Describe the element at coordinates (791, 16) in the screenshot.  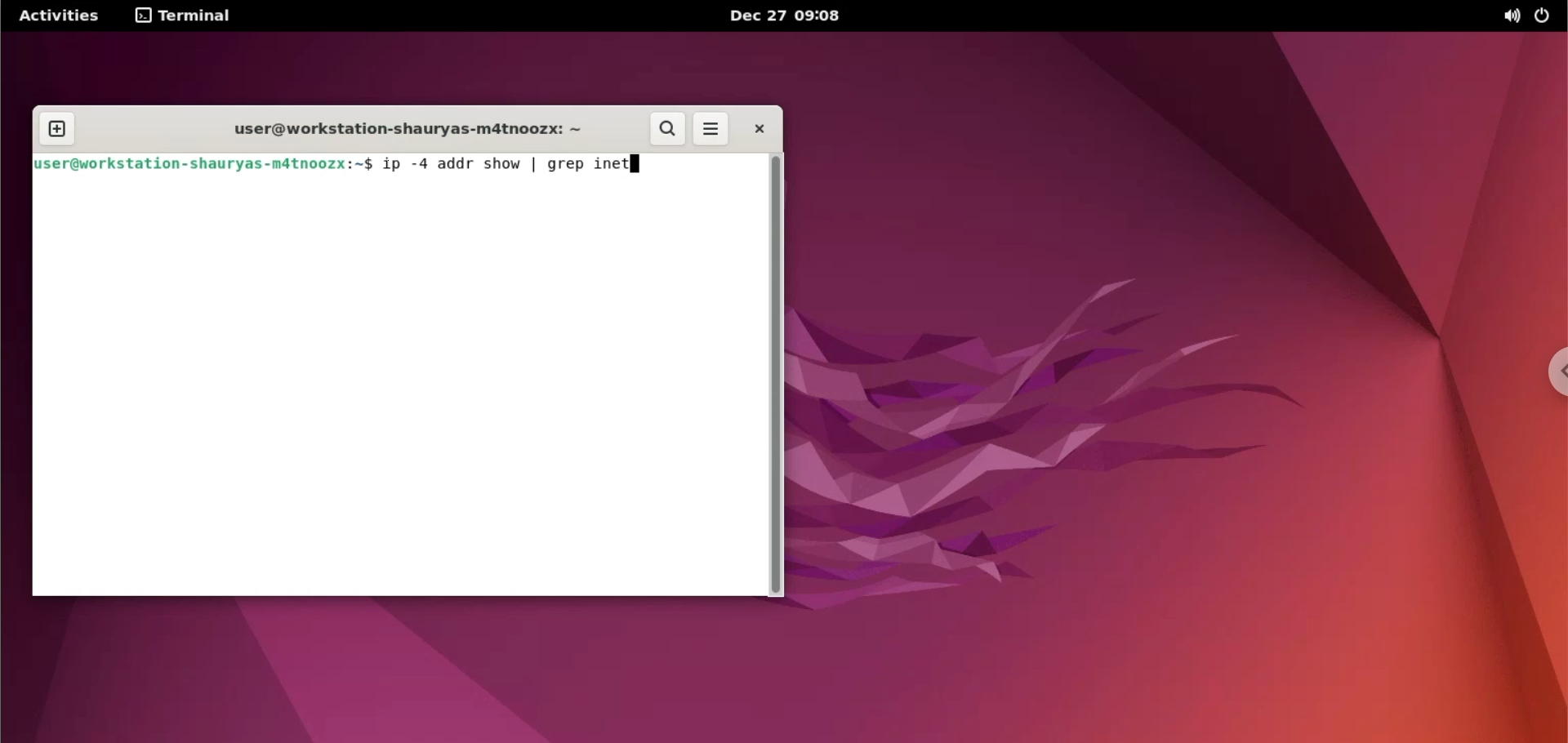
I see `Dec 27 09:08` at that location.